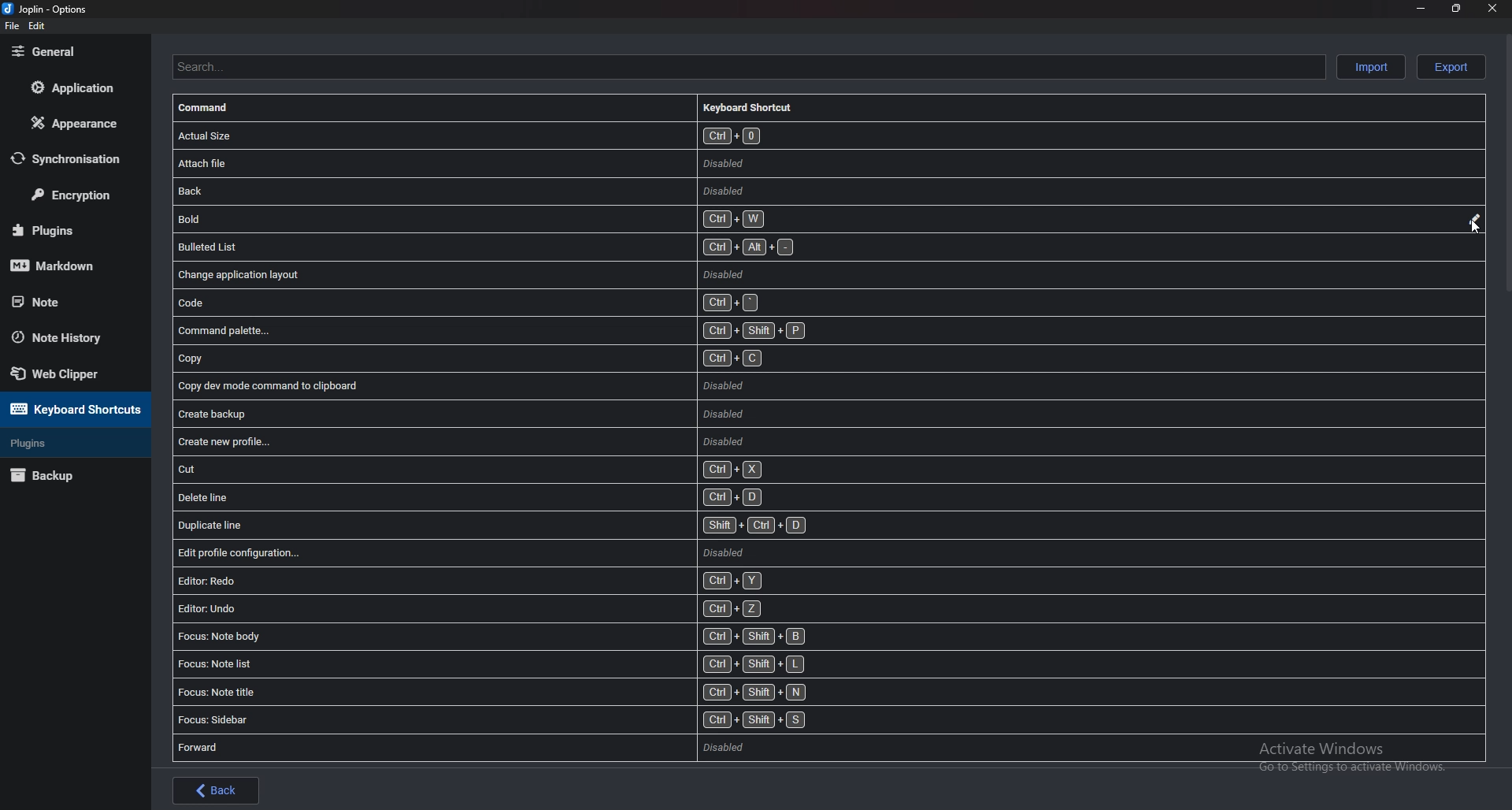 The image size is (1512, 810). Describe the element at coordinates (528, 552) in the screenshot. I see `Edit profile configuration` at that location.